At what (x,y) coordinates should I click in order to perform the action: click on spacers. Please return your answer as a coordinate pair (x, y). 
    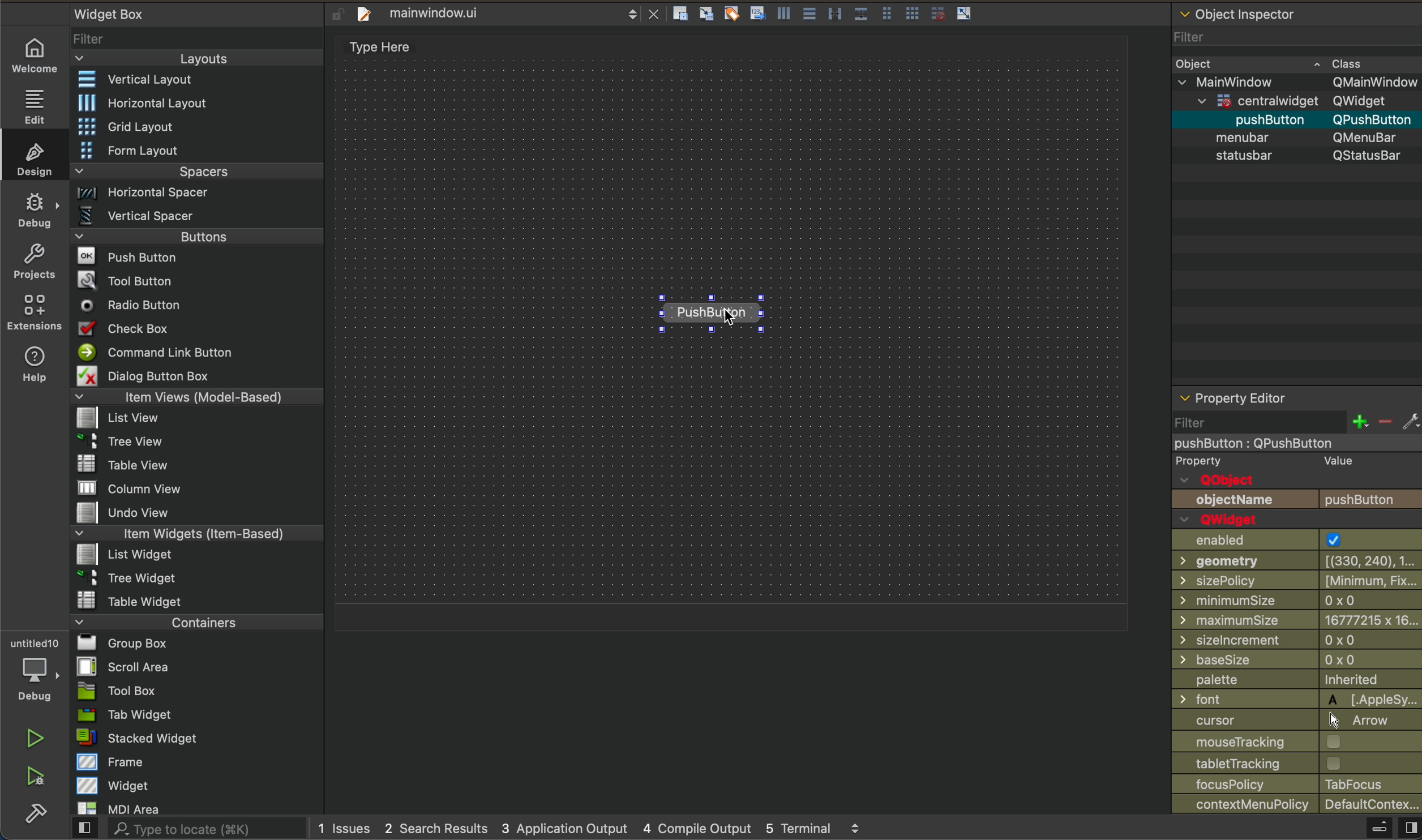
    Looking at the image, I should click on (194, 170).